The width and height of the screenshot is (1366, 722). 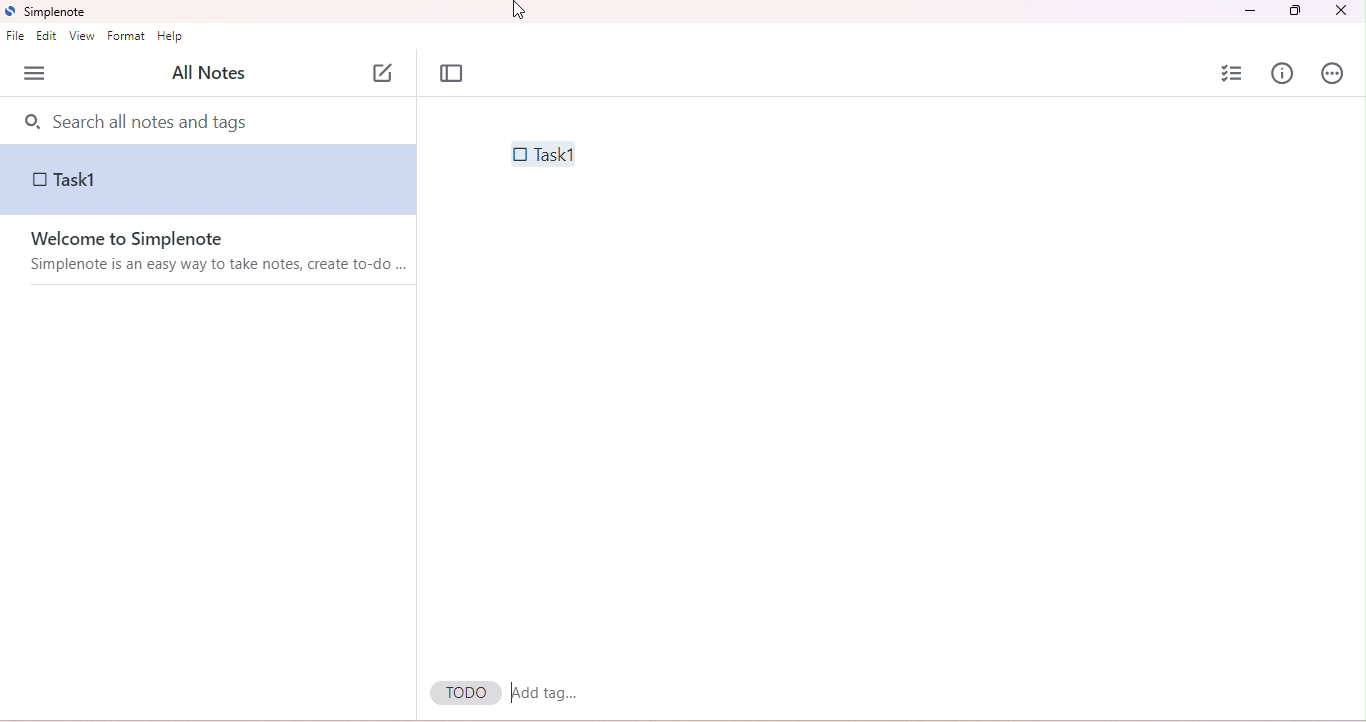 I want to click on welcome to simplenote, so click(x=222, y=241).